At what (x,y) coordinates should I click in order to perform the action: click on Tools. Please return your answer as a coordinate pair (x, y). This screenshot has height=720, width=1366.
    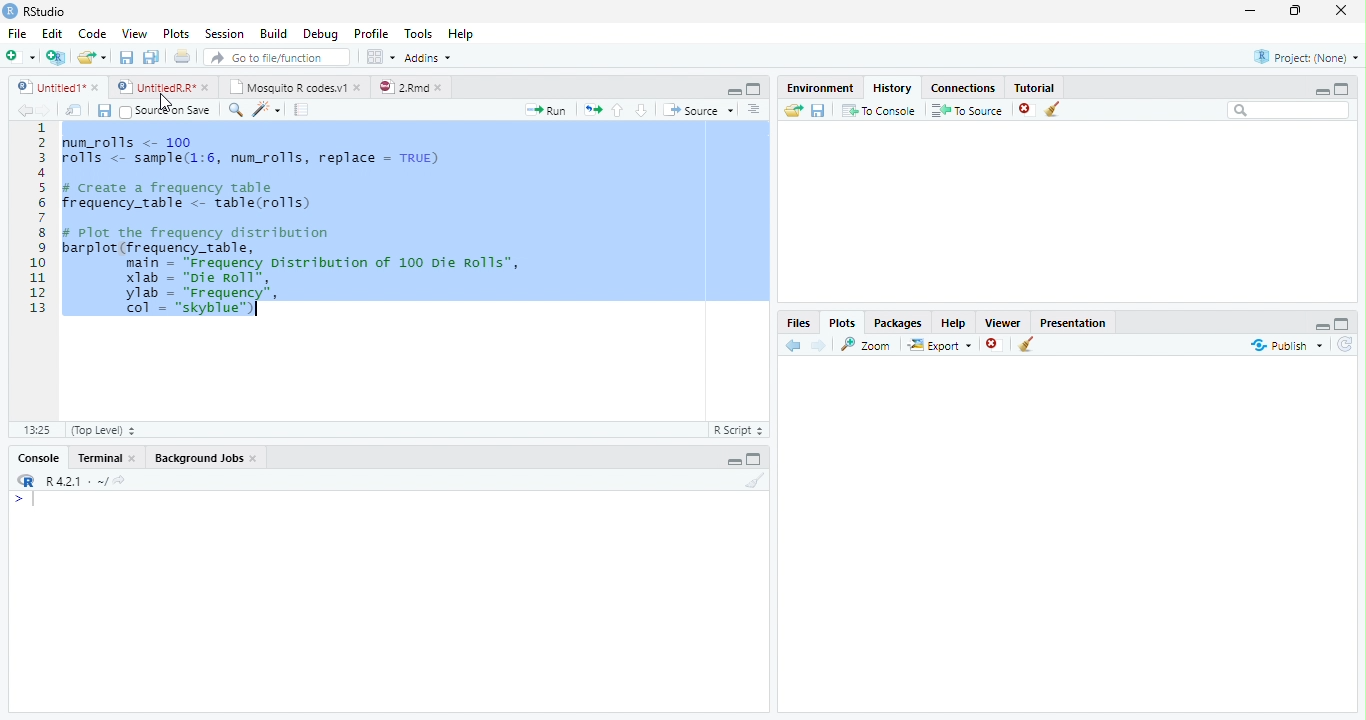
    Looking at the image, I should click on (420, 33).